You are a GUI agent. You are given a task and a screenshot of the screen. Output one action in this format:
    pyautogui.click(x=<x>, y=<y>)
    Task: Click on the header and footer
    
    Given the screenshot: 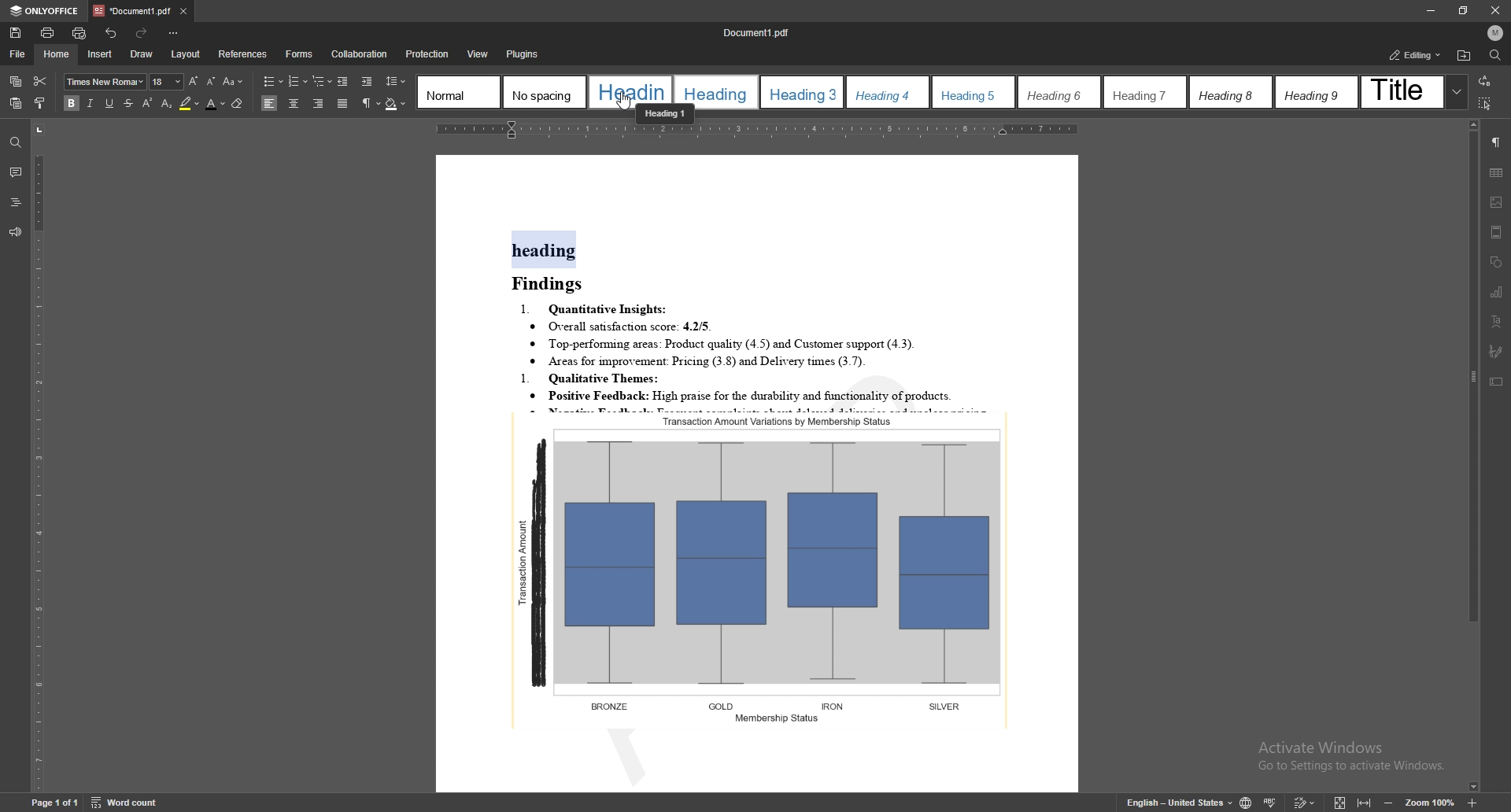 What is the action you would take?
    pyautogui.click(x=1496, y=232)
    